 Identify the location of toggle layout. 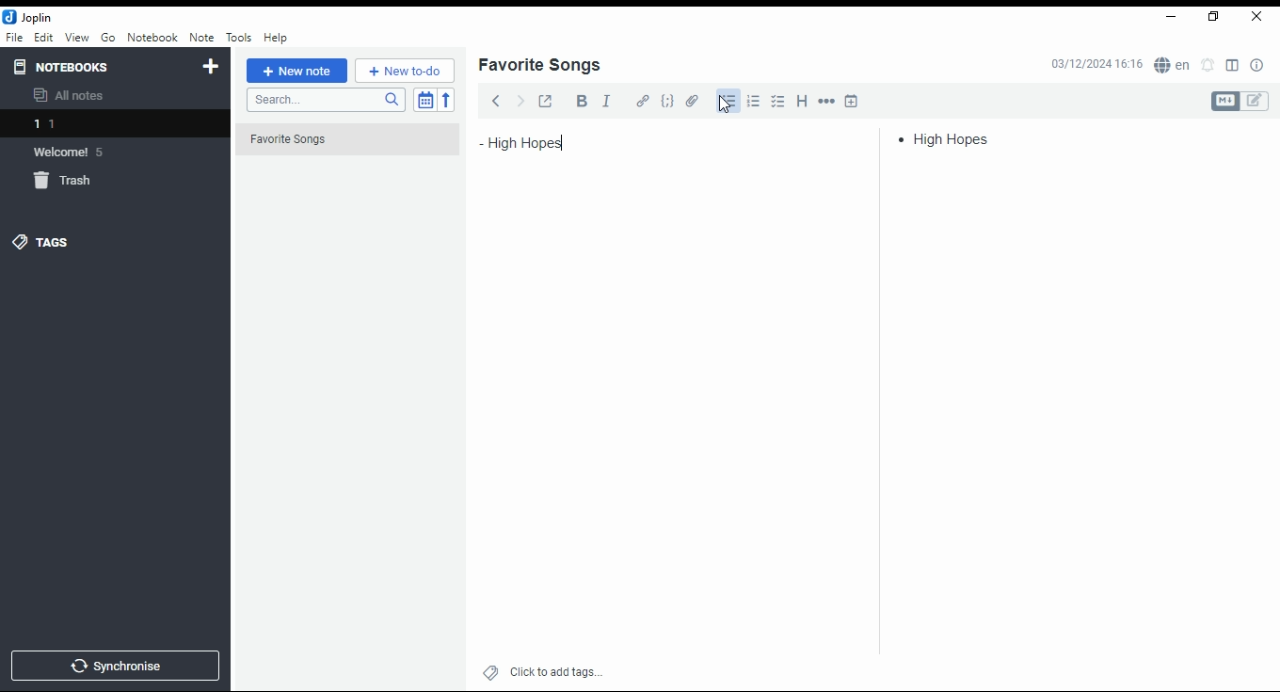
(1233, 66).